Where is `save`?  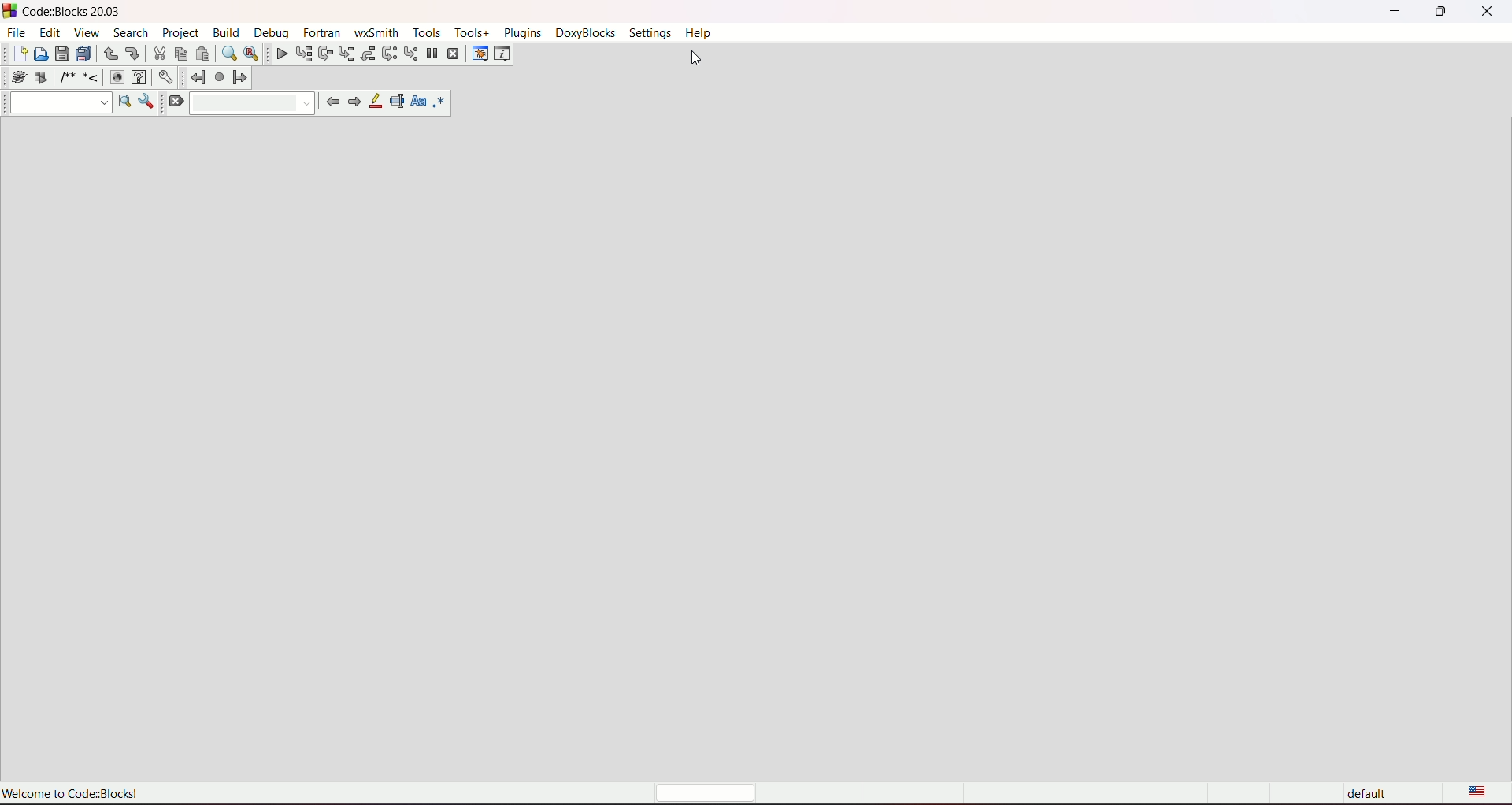
save is located at coordinates (63, 54).